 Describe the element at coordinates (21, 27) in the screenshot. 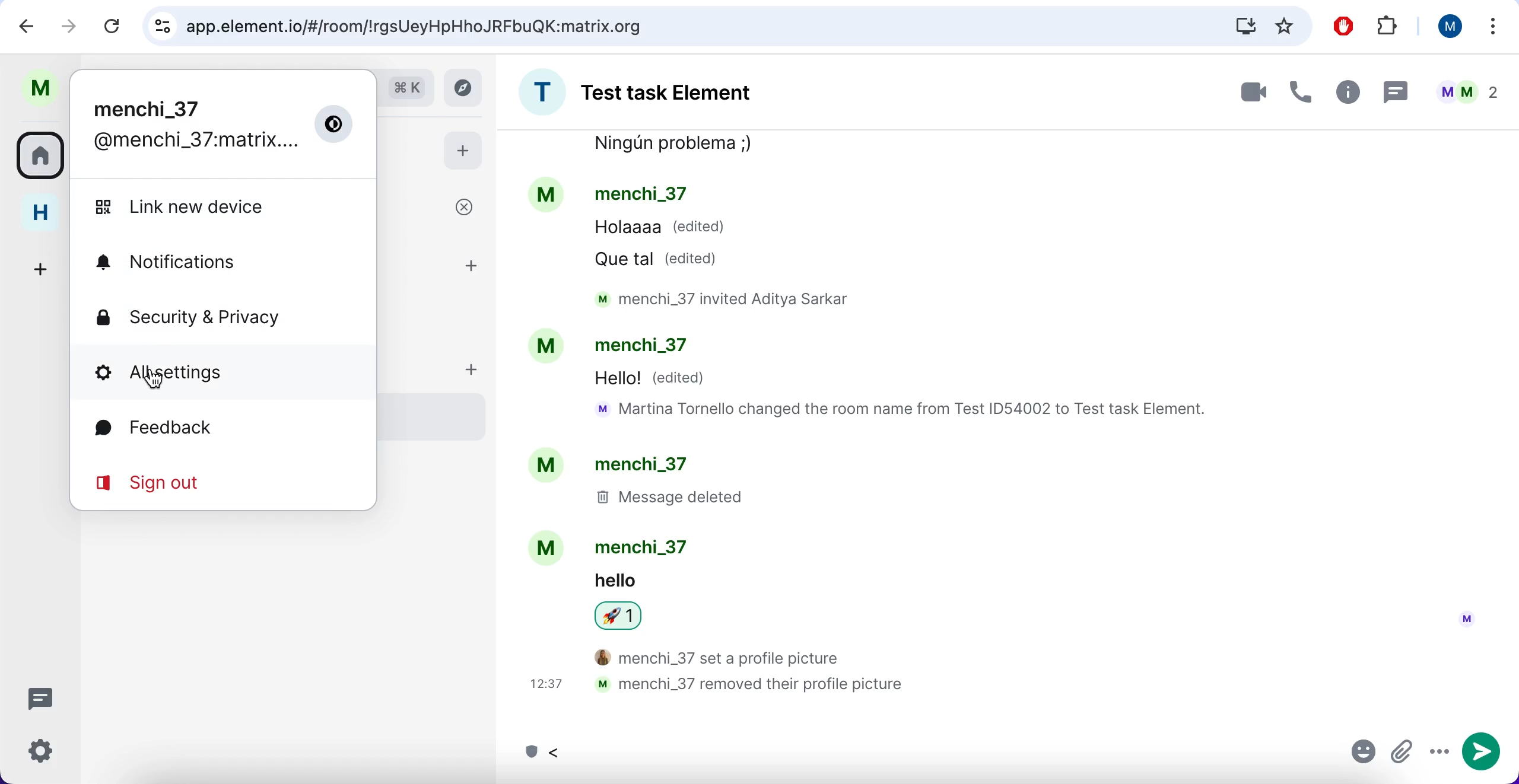

I see `backward` at that location.